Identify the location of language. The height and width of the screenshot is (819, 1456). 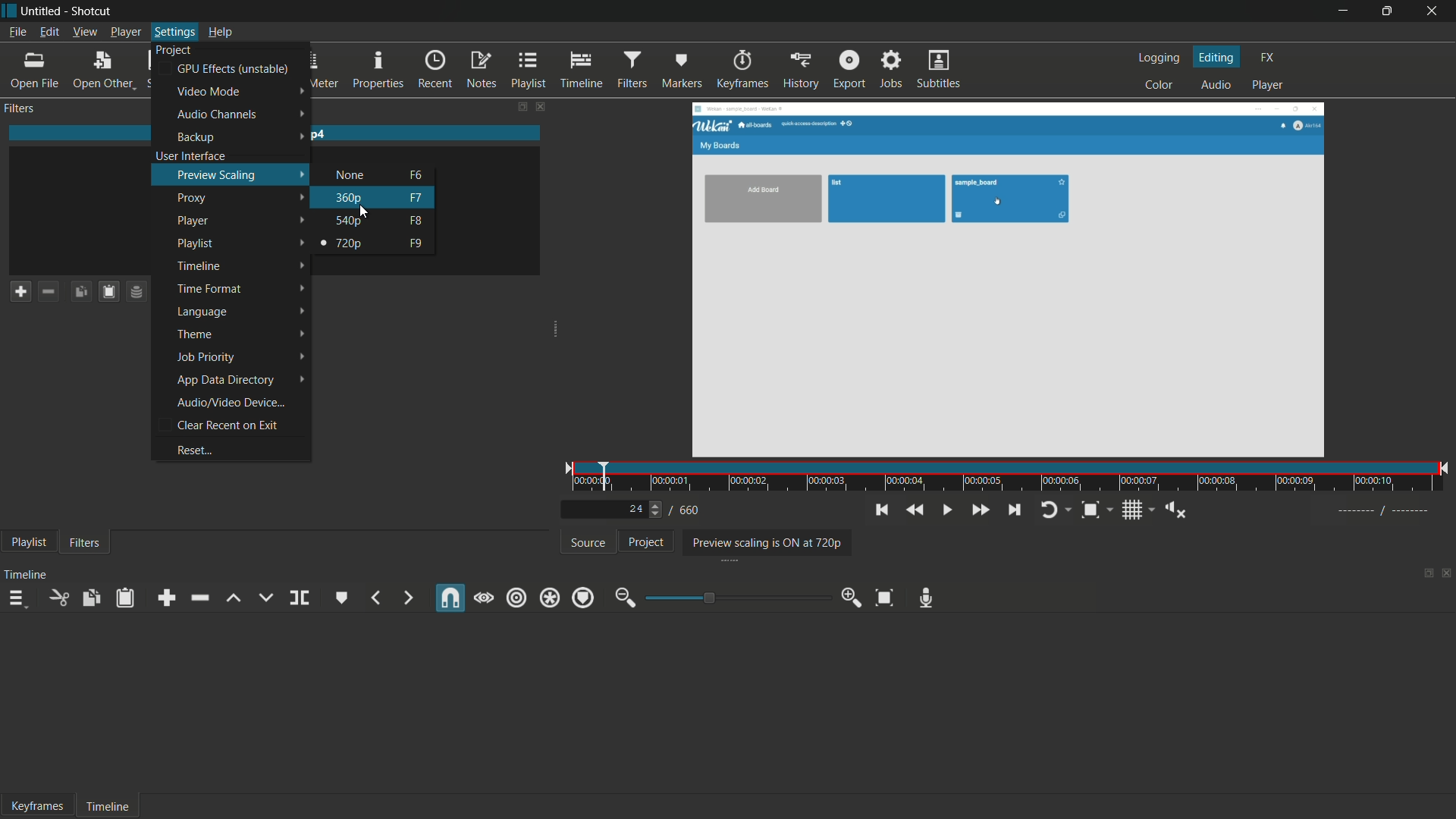
(201, 312).